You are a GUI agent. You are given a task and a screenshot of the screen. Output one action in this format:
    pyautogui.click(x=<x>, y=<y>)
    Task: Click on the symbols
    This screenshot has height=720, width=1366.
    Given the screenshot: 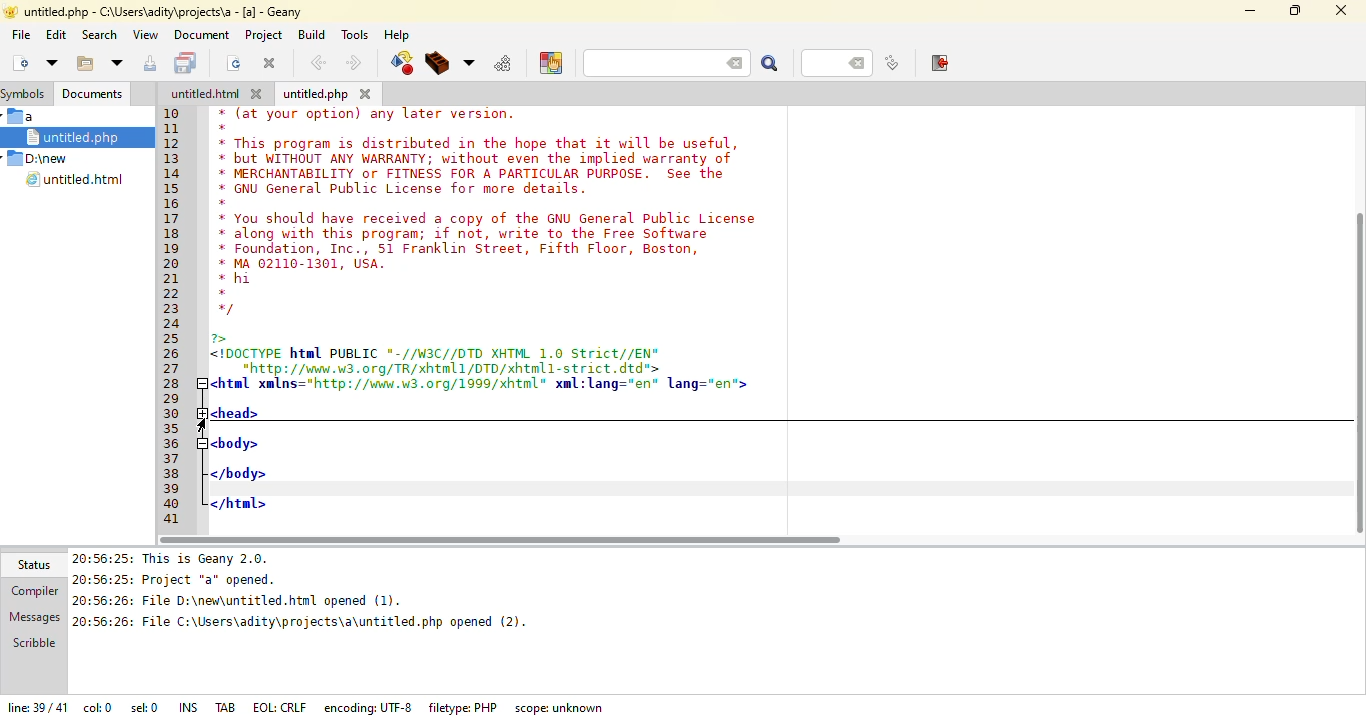 What is the action you would take?
    pyautogui.click(x=24, y=93)
    